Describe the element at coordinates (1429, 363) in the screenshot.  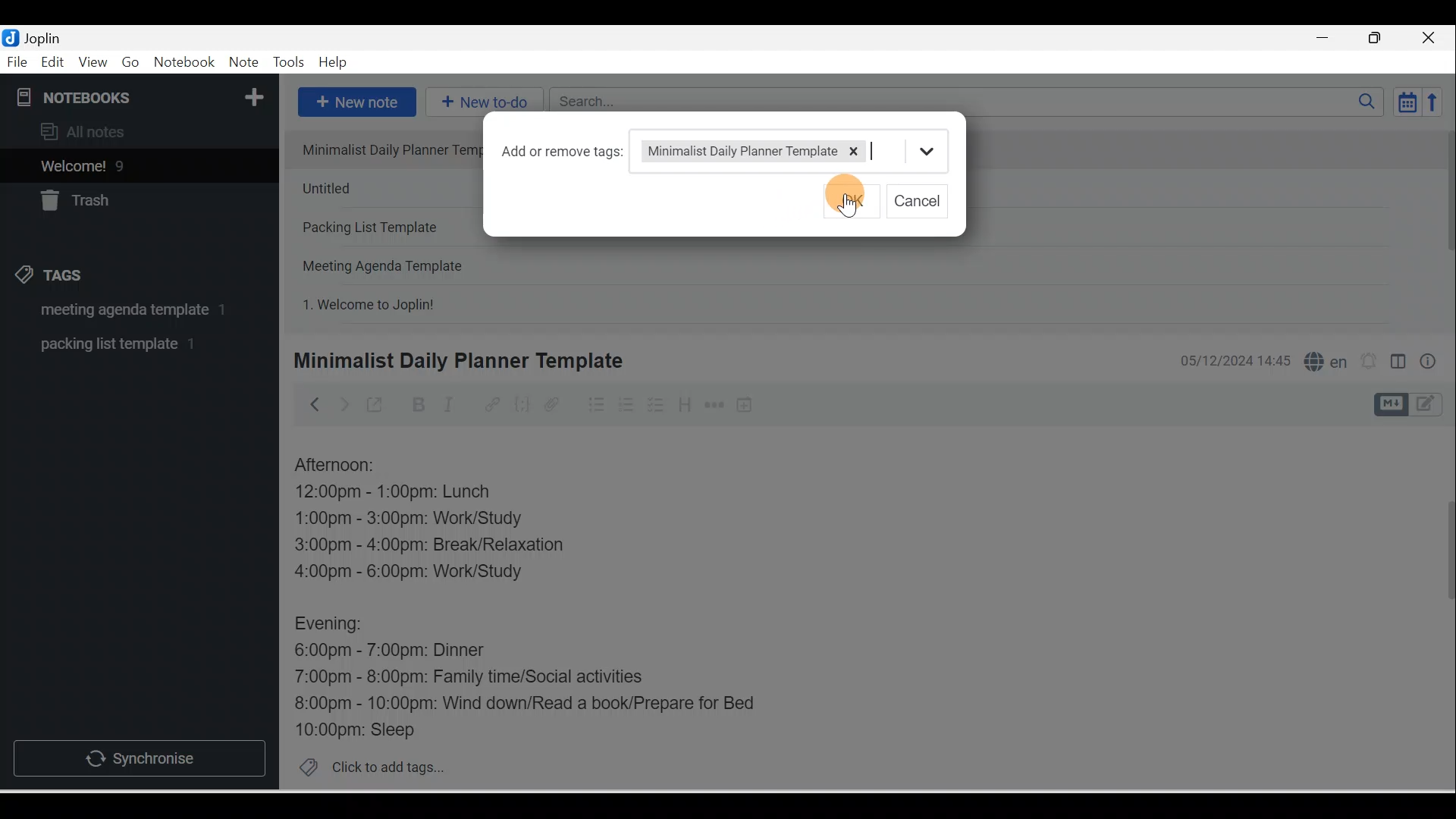
I see `Note properties` at that location.